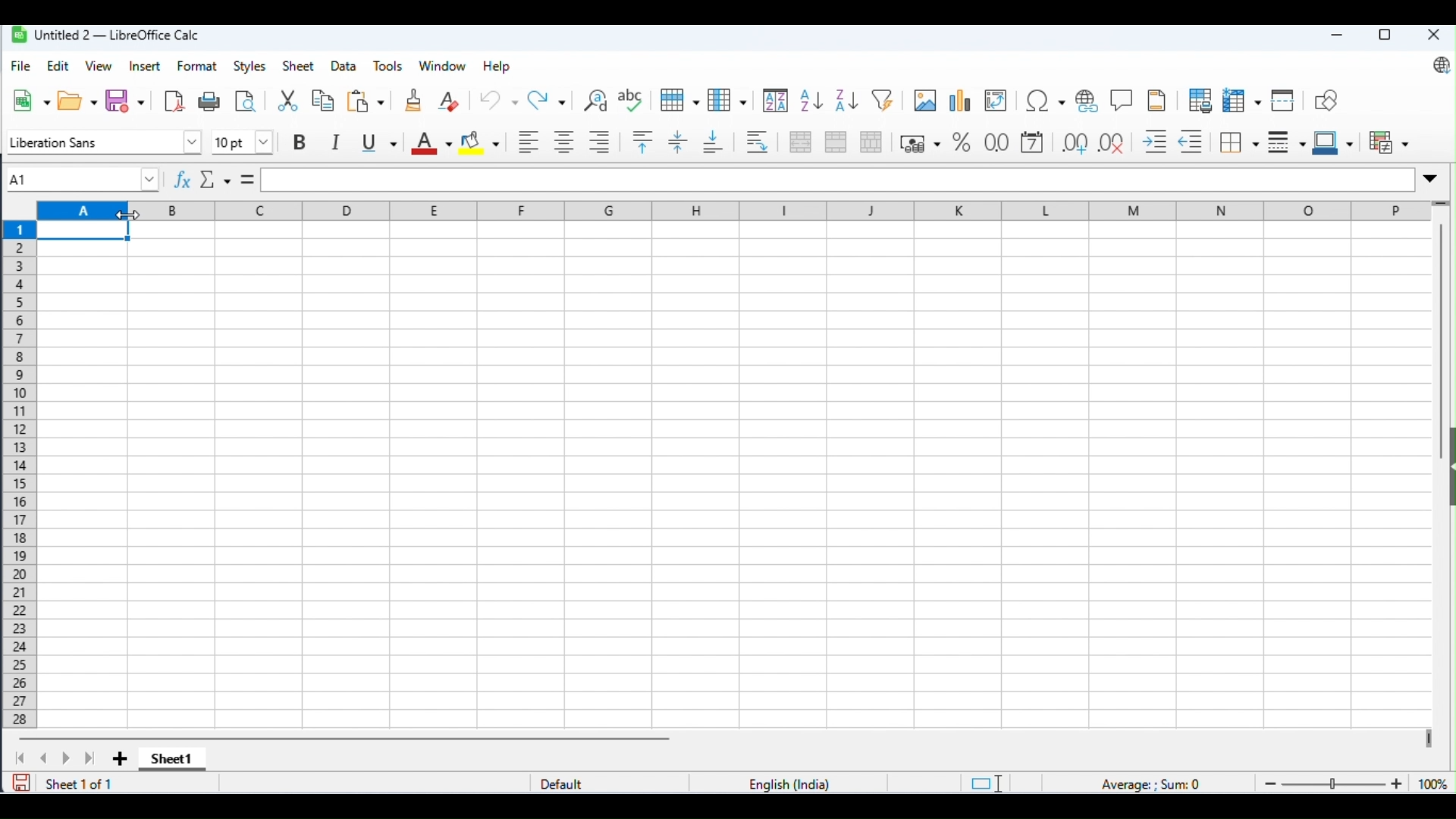 Image resolution: width=1456 pixels, height=819 pixels. Describe the element at coordinates (1114, 142) in the screenshot. I see `remove decimal place` at that location.